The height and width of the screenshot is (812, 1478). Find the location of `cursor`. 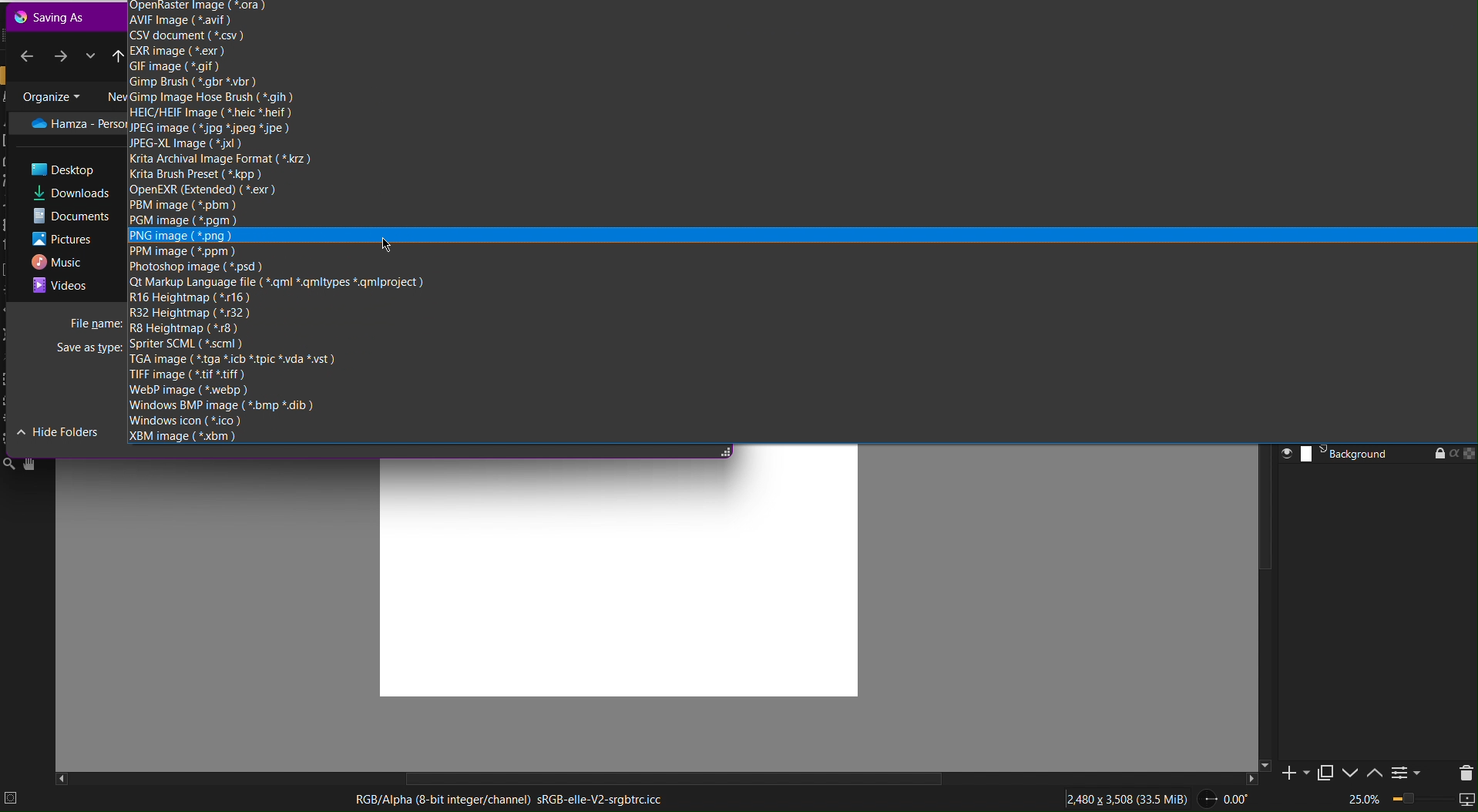

cursor is located at coordinates (386, 244).